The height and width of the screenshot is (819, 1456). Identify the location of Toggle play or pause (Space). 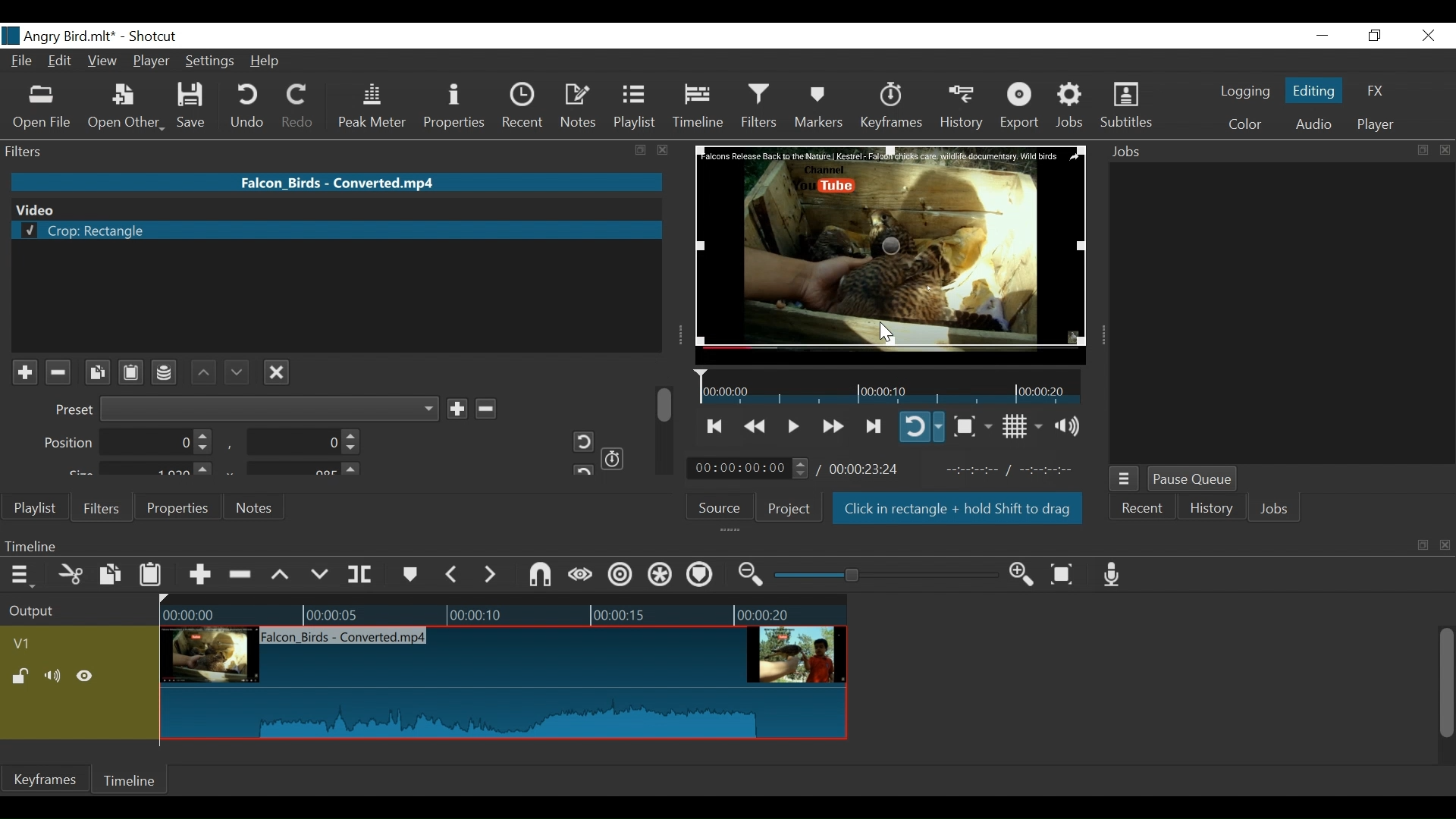
(791, 428).